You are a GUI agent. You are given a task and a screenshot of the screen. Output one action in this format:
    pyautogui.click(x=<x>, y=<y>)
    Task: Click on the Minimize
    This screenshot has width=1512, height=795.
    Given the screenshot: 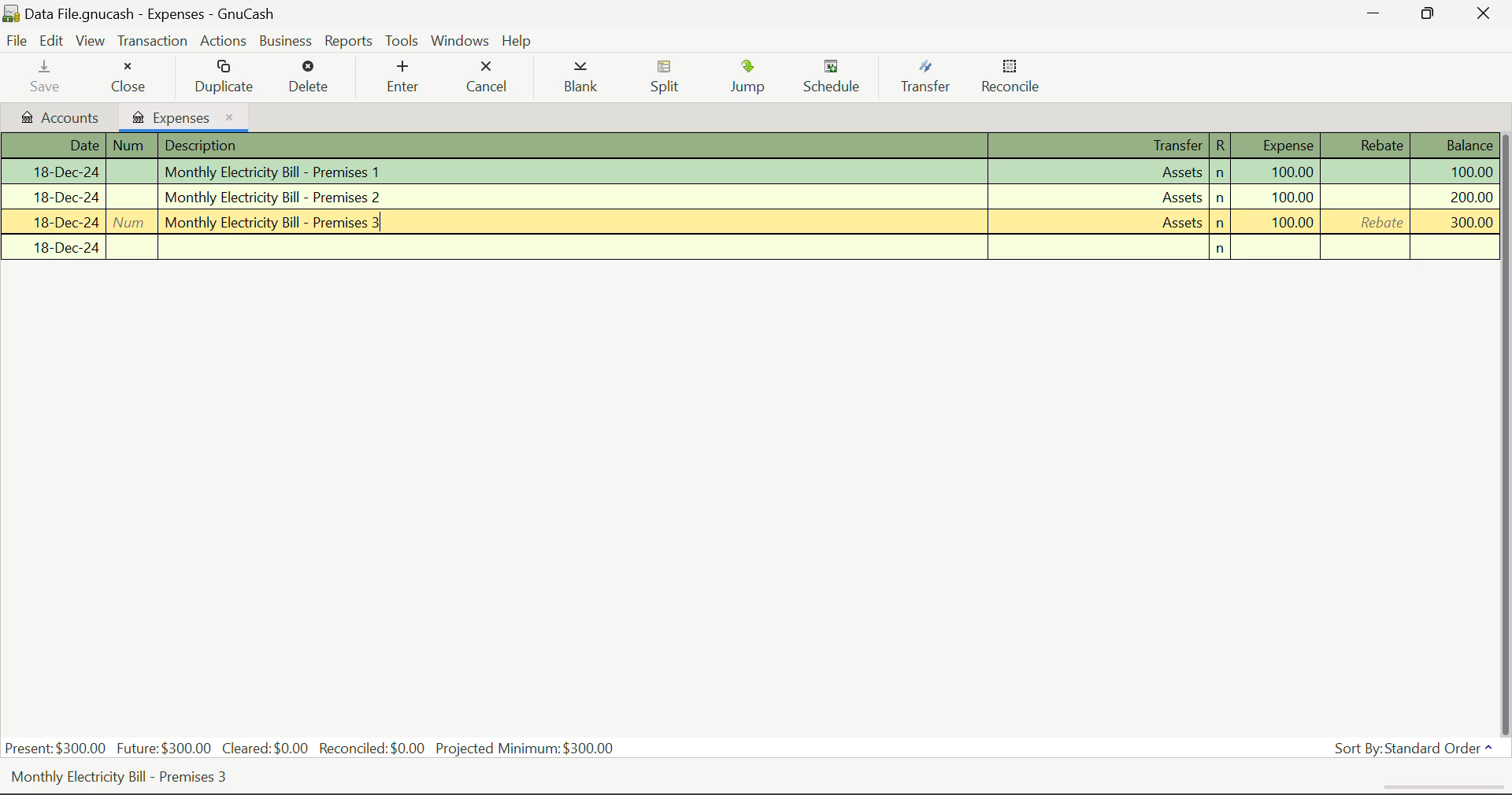 What is the action you would take?
    pyautogui.click(x=1430, y=16)
    